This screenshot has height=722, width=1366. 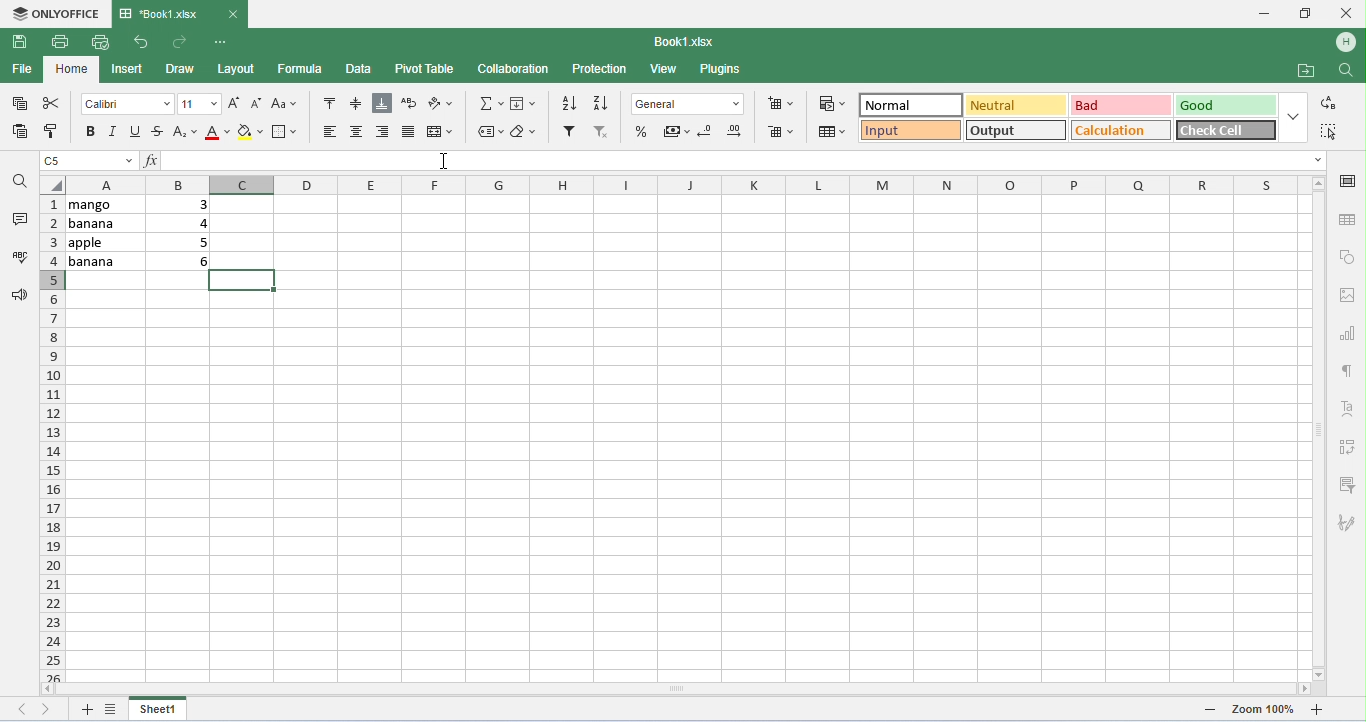 I want to click on bold, so click(x=90, y=132).